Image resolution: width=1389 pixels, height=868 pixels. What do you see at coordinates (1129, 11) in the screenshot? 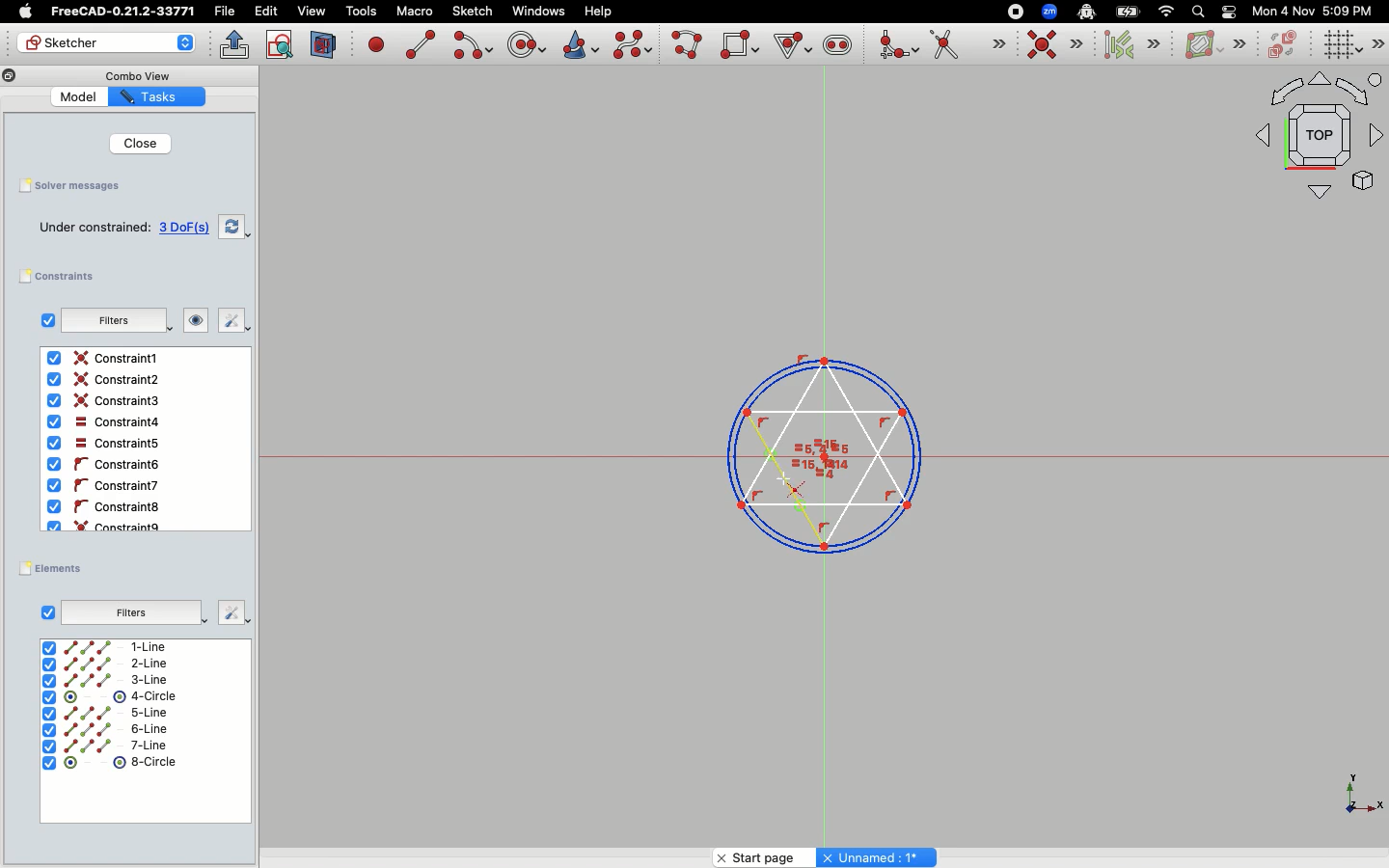
I see `Battery` at bounding box center [1129, 11].